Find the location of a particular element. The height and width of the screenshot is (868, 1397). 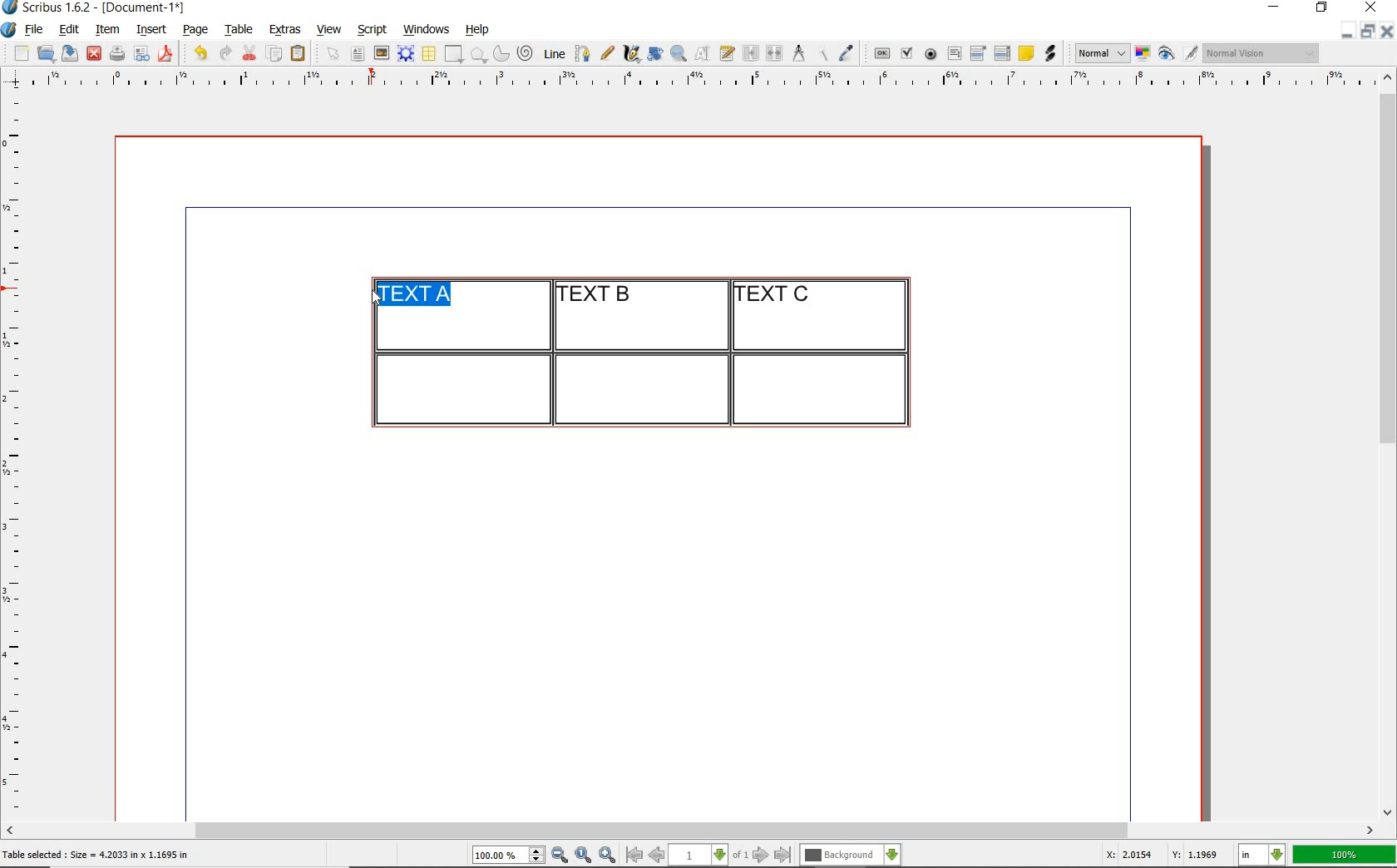

pdf combo box is located at coordinates (979, 52).